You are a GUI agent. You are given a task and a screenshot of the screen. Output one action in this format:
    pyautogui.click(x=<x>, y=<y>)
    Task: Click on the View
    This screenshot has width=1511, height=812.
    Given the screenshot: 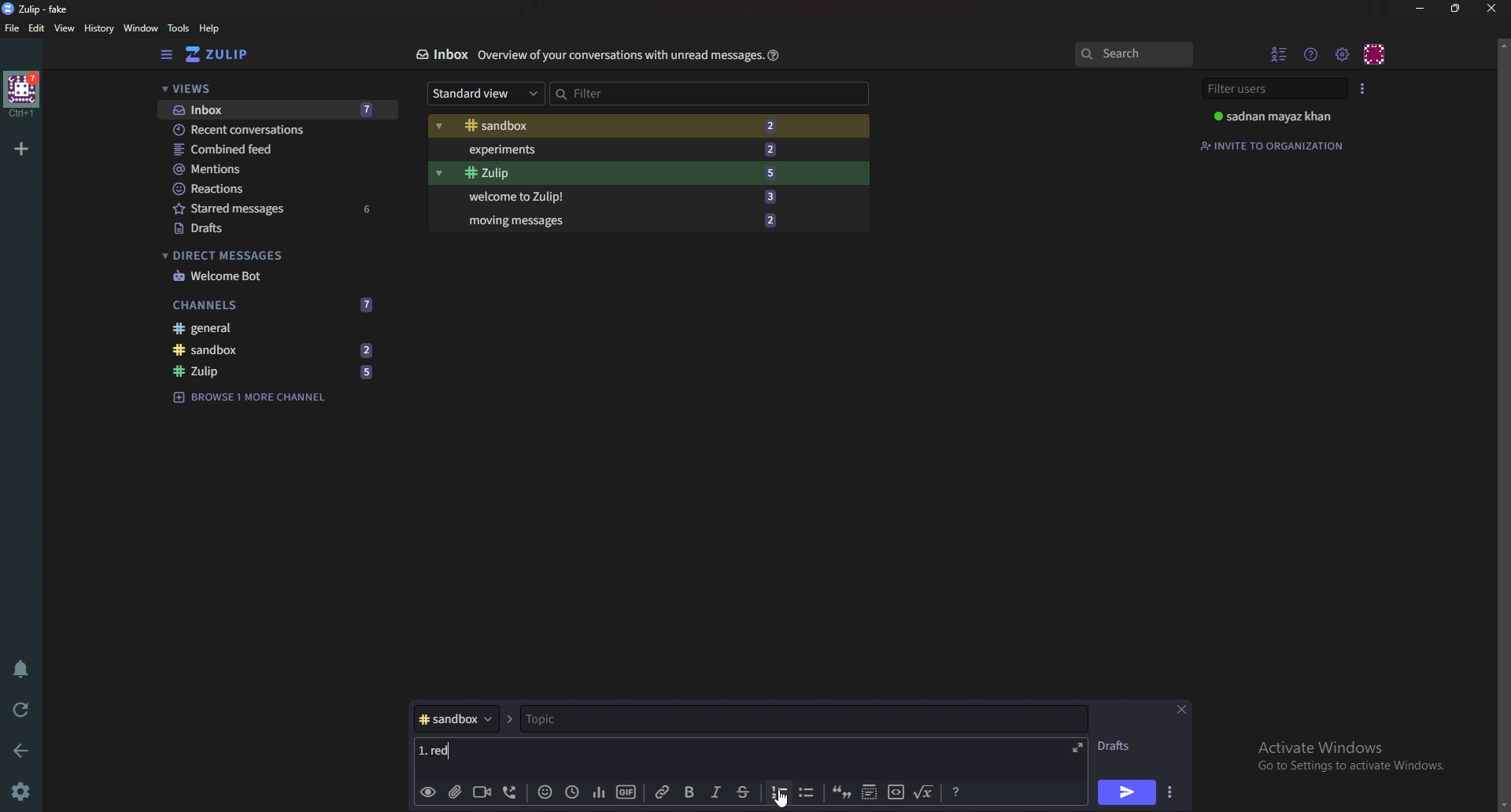 What is the action you would take?
    pyautogui.click(x=65, y=29)
    